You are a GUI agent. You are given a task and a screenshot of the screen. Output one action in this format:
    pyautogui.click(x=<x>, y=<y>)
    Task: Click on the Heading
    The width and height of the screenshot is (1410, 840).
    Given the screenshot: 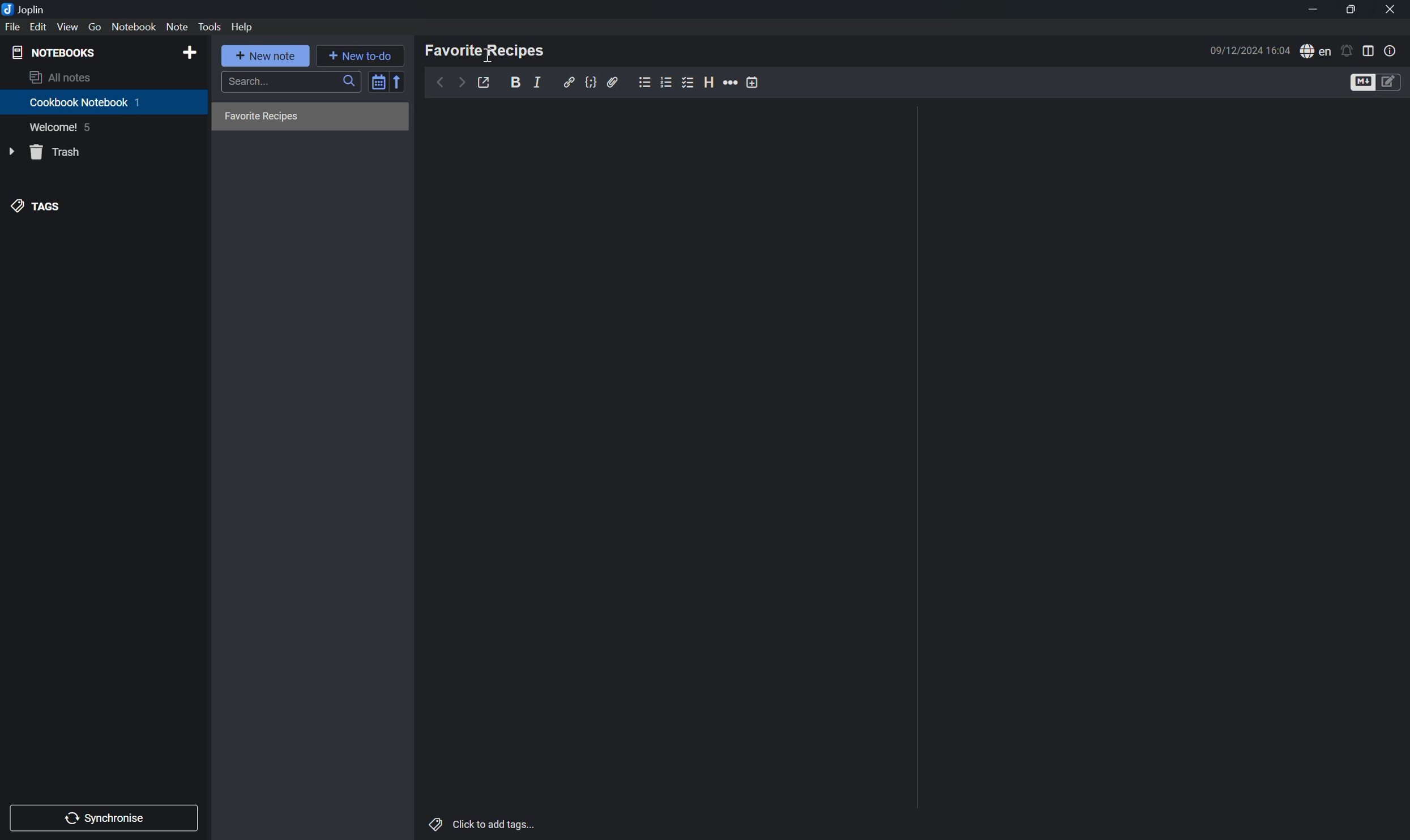 What is the action you would take?
    pyautogui.click(x=710, y=80)
    